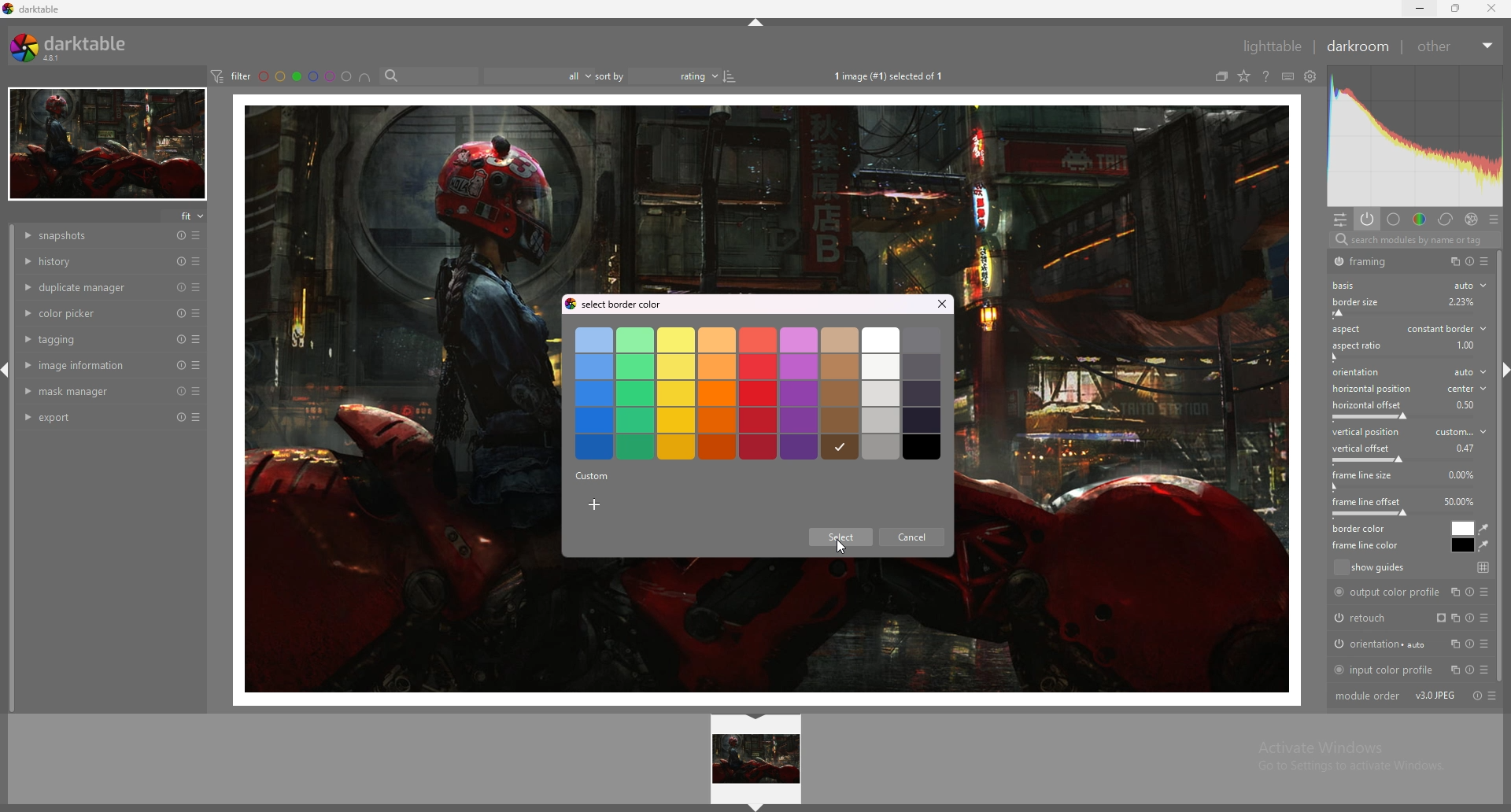 Image resolution: width=1511 pixels, height=812 pixels. I want to click on correct, so click(1444, 220).